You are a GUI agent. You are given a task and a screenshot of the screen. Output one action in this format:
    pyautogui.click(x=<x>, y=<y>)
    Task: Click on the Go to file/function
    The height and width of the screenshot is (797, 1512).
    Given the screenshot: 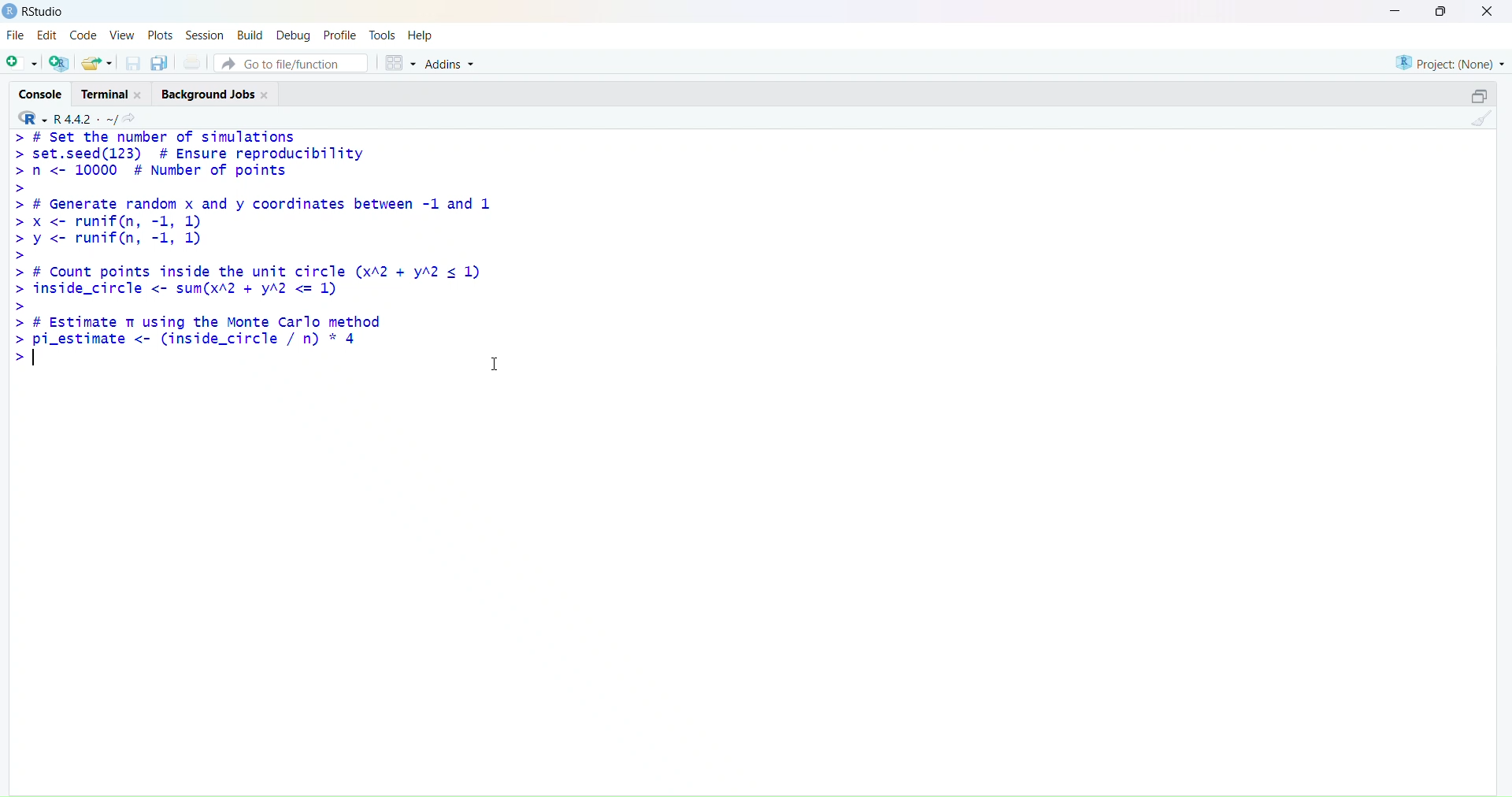 What is the action you would take?
    pyautogui.click(x=295, y=64)
    